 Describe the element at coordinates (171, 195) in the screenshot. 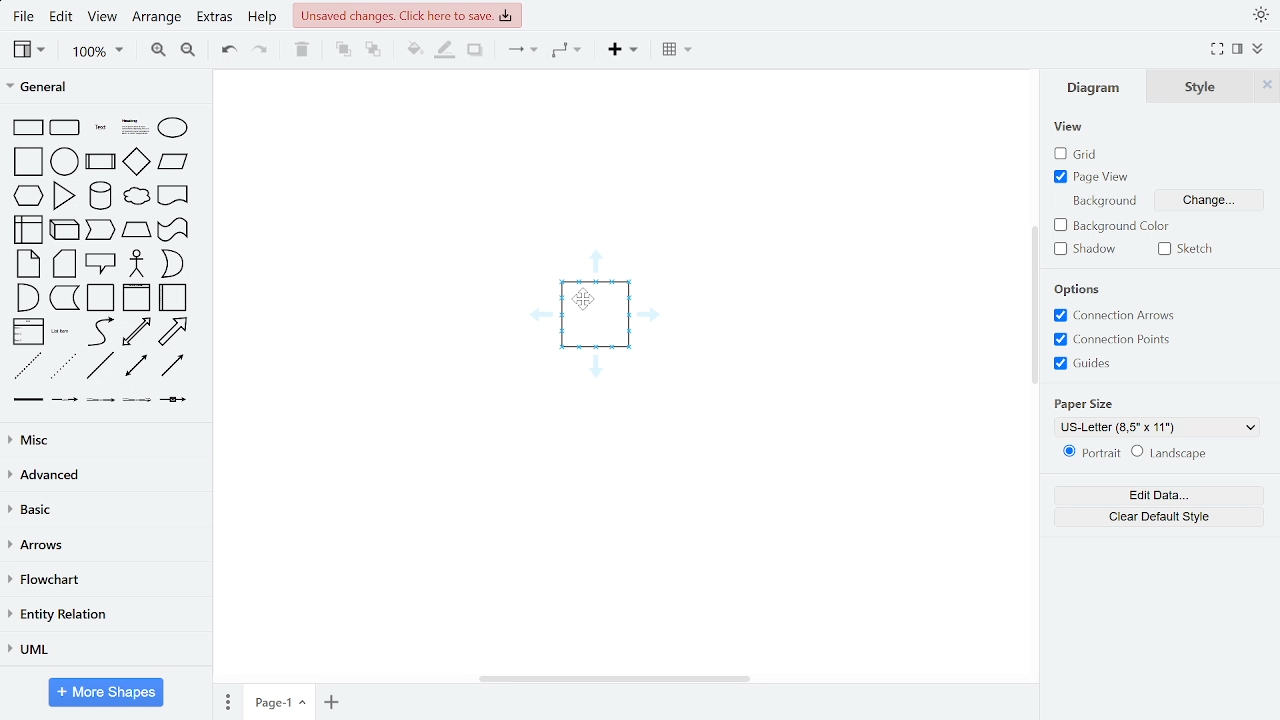

I see `general shapes` at that location.